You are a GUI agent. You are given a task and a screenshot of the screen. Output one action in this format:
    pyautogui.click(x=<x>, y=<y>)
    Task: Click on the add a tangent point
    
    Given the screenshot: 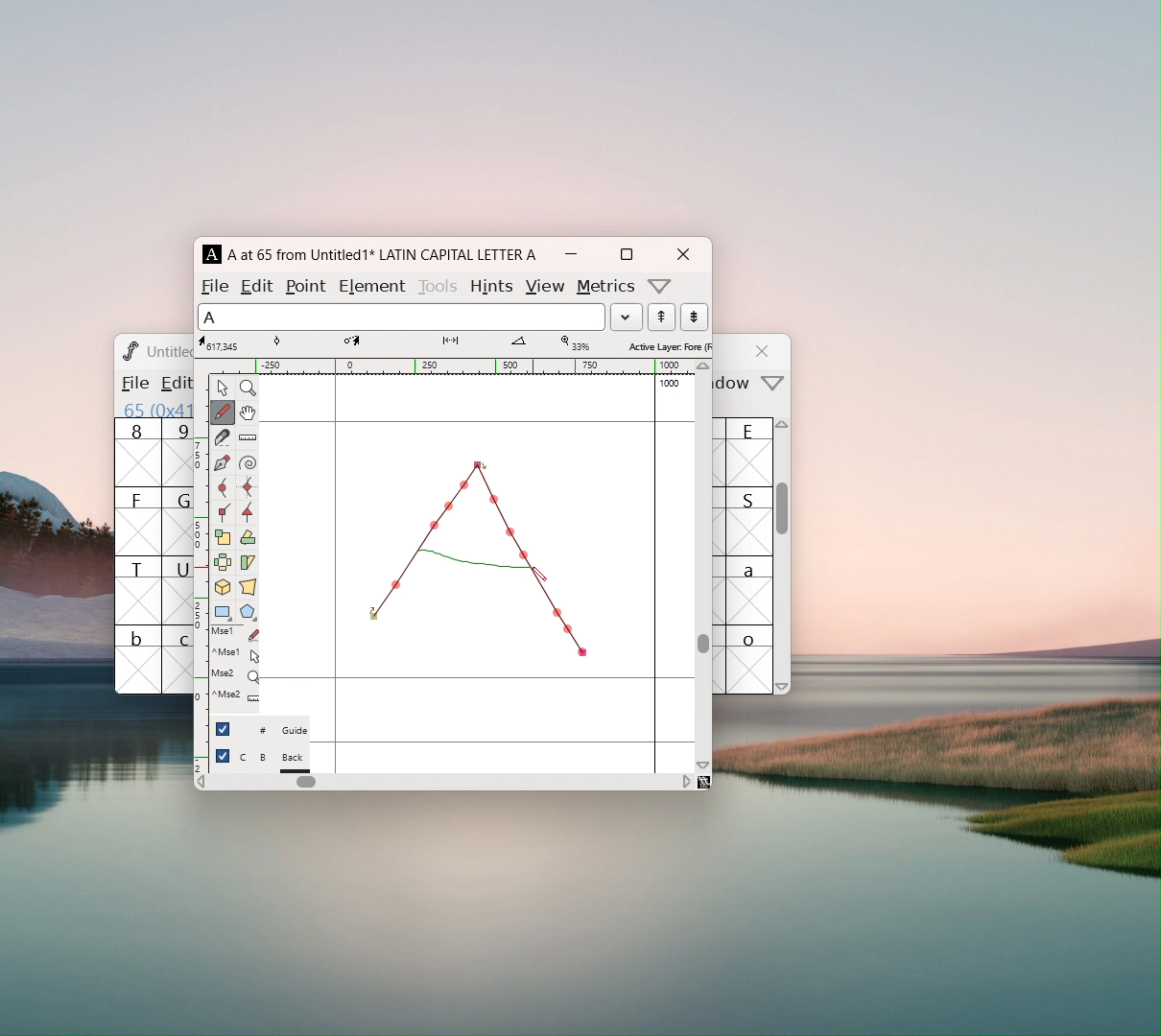 What is the action you would take?
    pyautogui.click(x=247, y=512)
    